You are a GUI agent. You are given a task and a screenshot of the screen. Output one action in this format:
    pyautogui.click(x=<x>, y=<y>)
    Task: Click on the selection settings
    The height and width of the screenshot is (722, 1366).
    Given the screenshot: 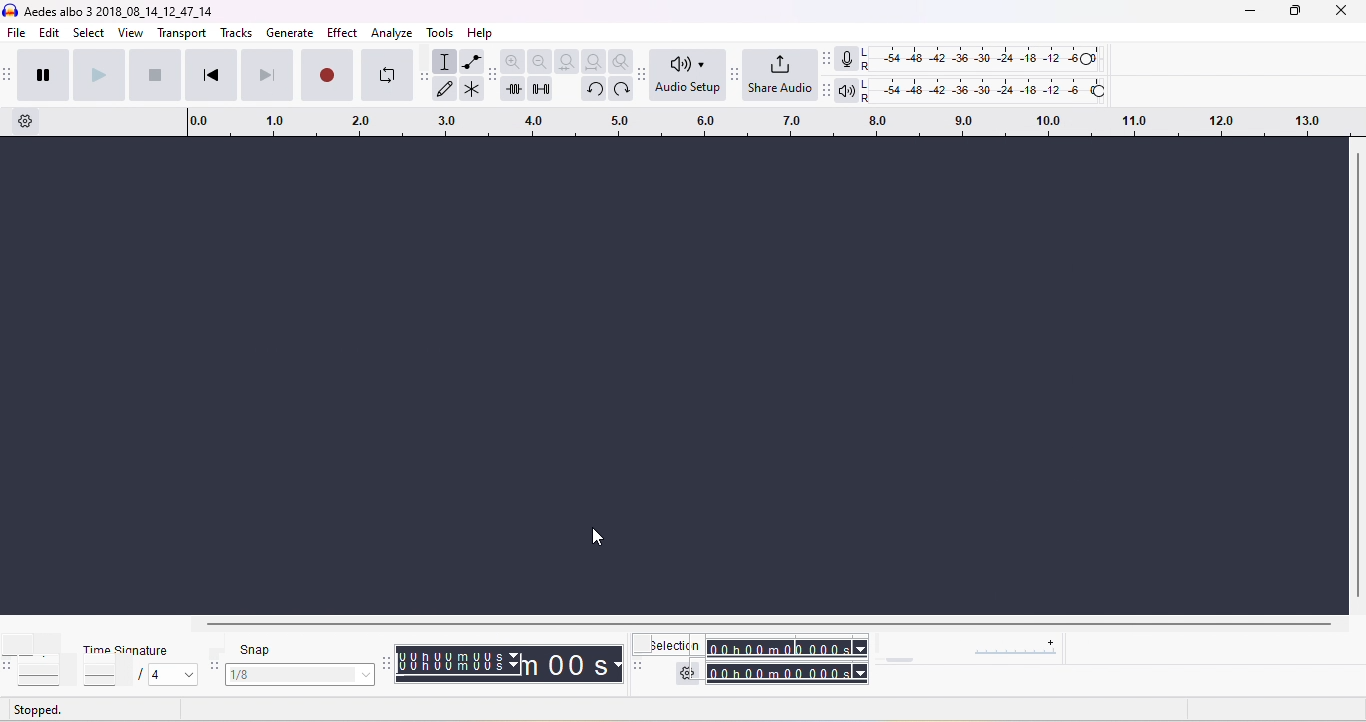 What is the action you would take?
    pyautogui.click(x=686, y=673)
    